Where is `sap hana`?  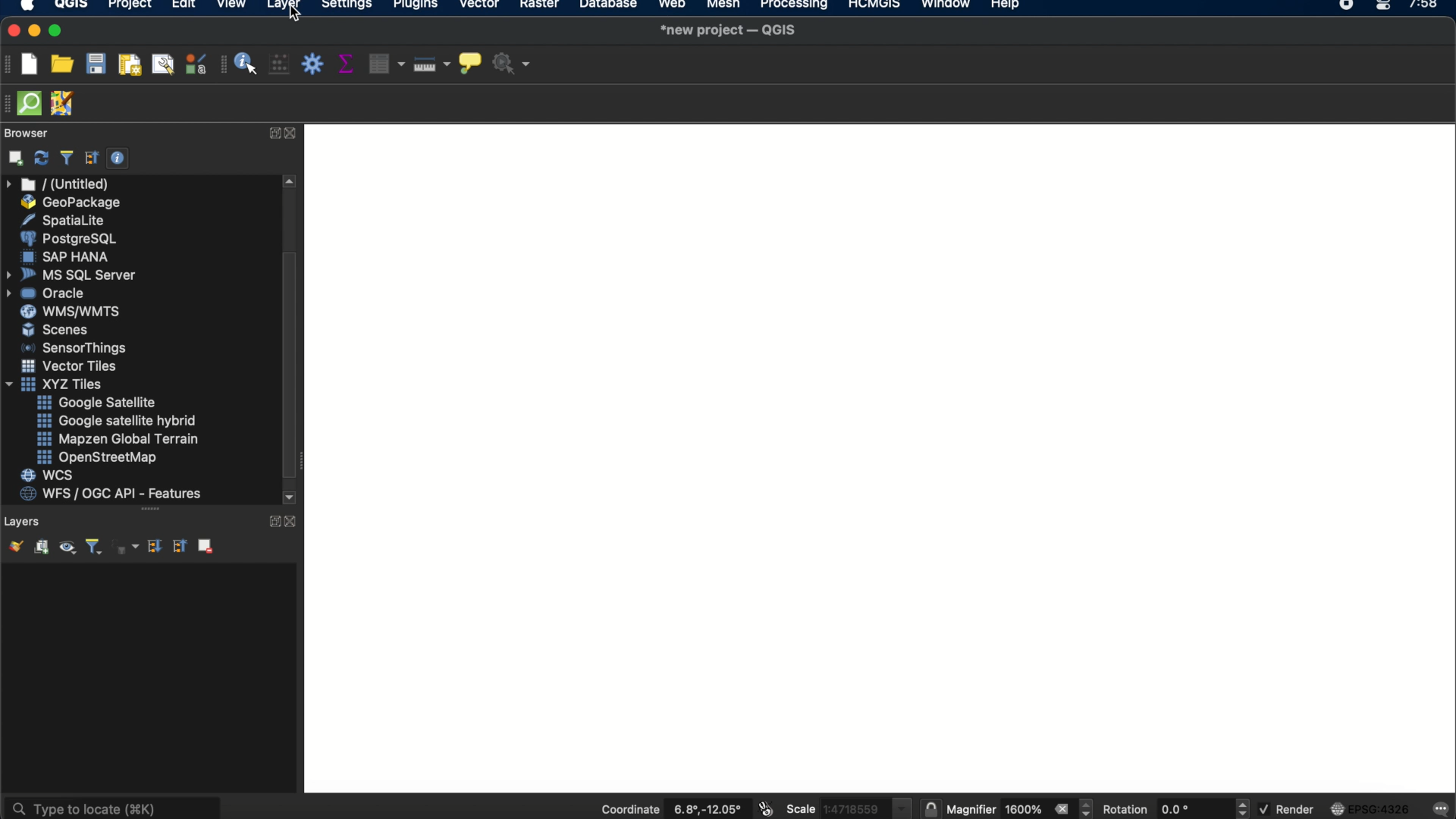 sap hana is located at coordinates (67, 256).